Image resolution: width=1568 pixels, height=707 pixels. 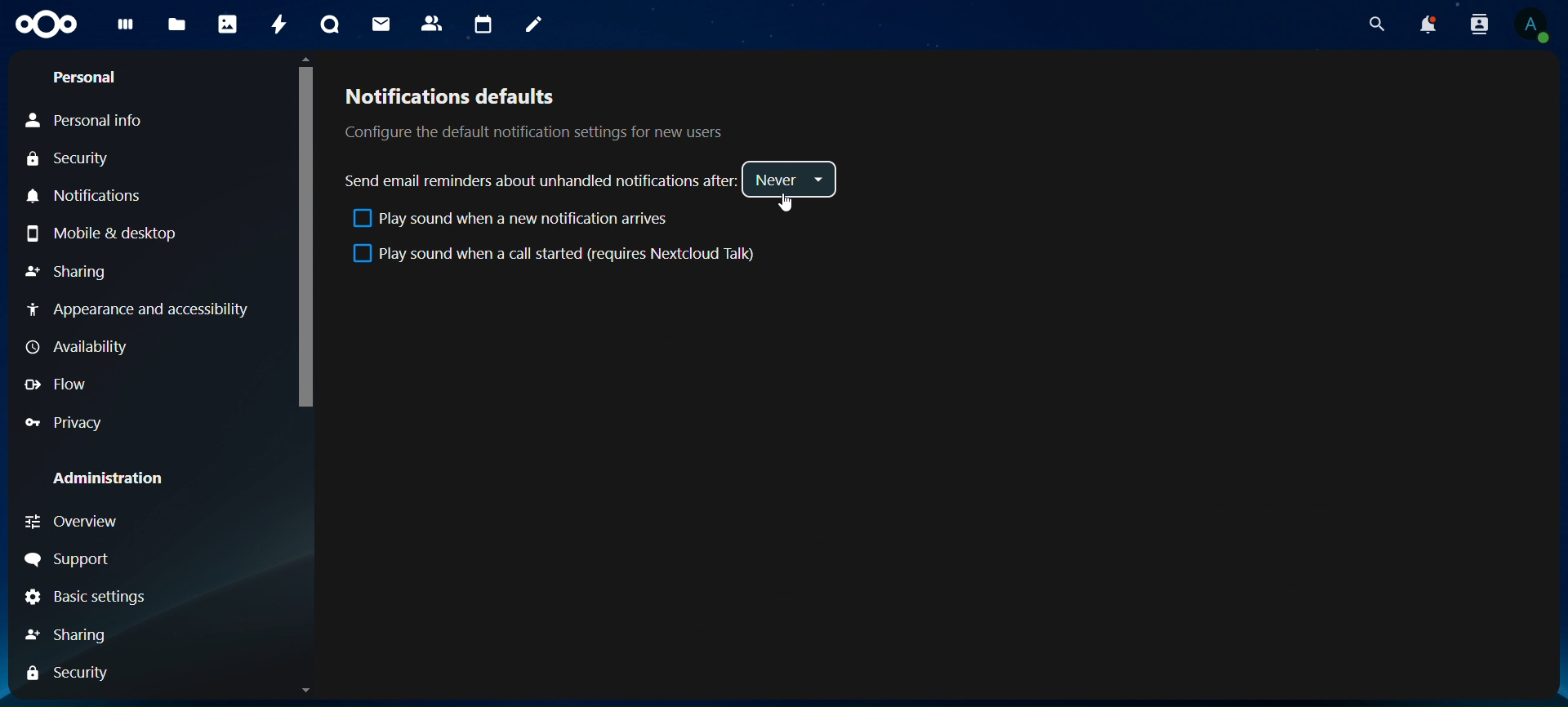 I want to click on View Profile, so click(x=1536, y=26).